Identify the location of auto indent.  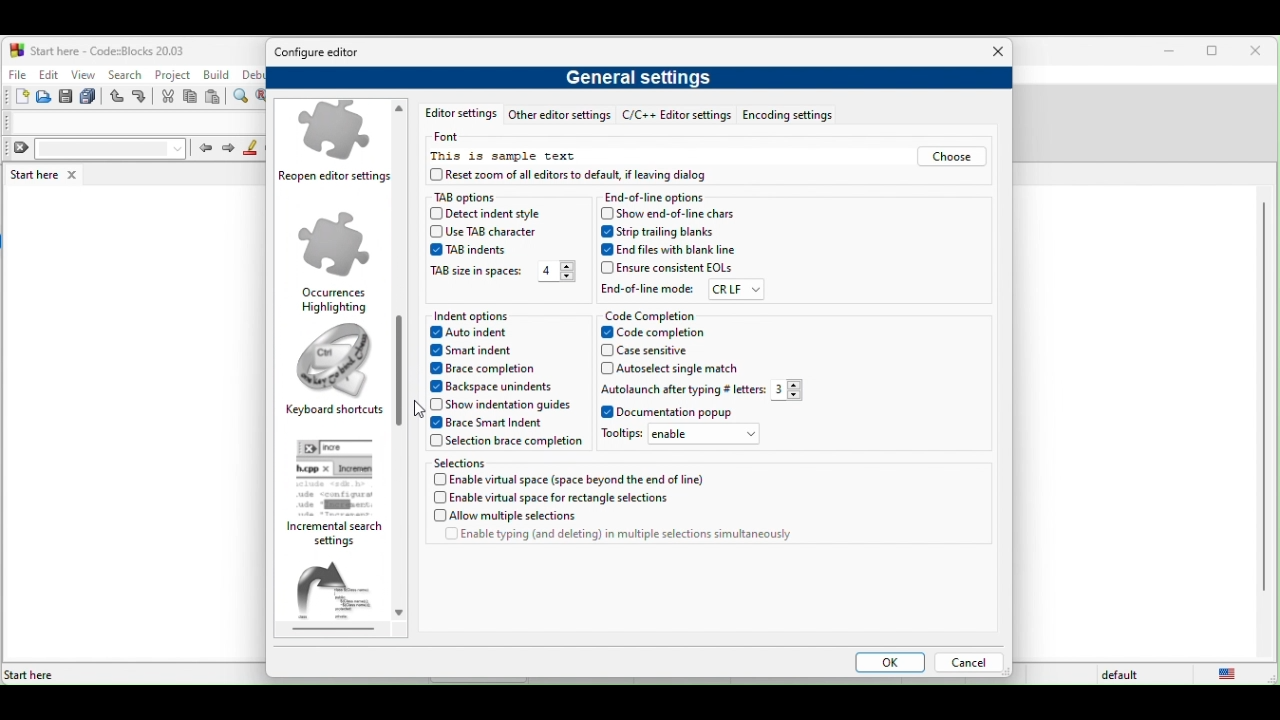
(476, 334).